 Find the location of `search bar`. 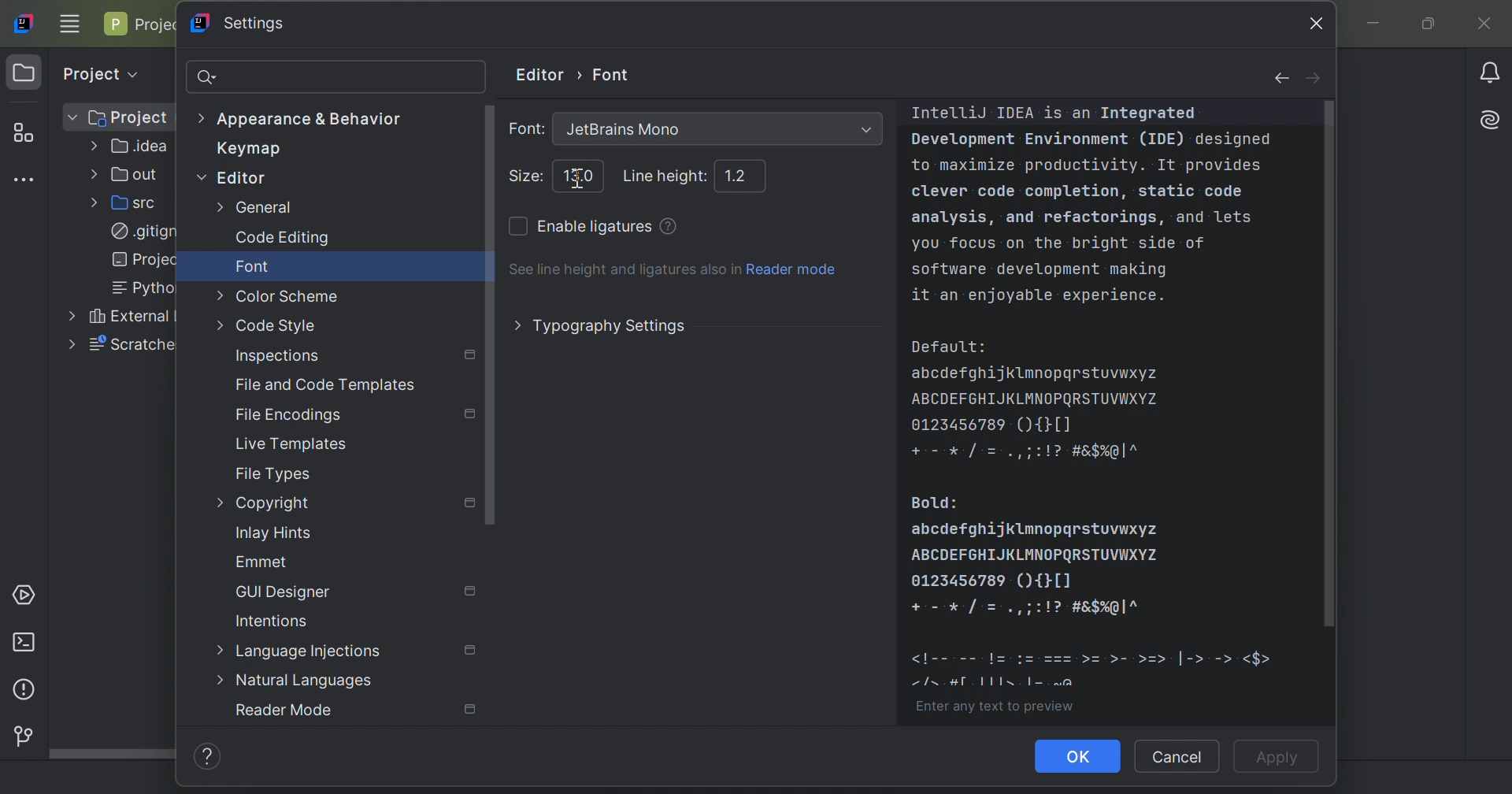

search bar is located at coordinates (335, 76).